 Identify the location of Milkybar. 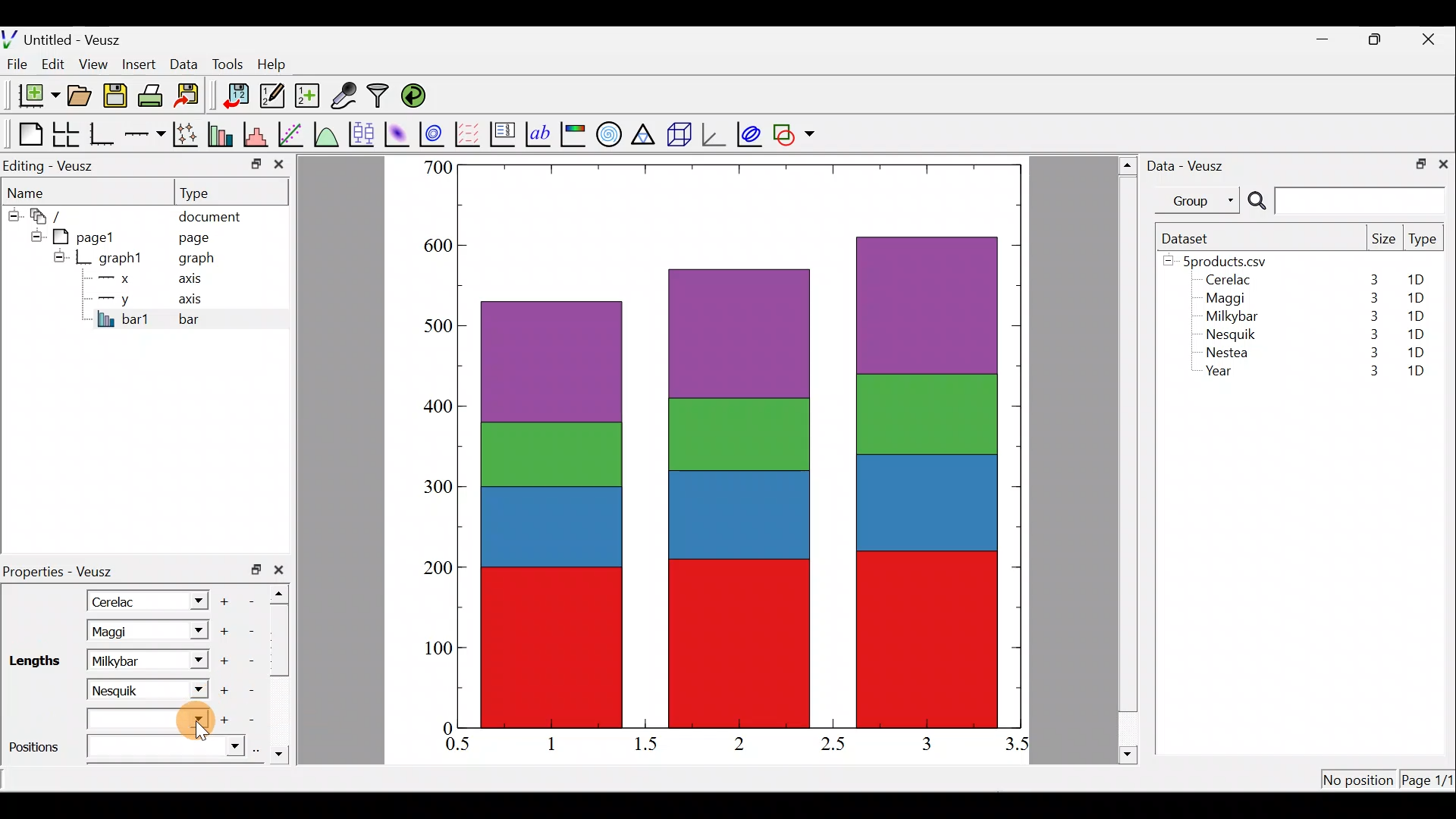
(1228, 318).